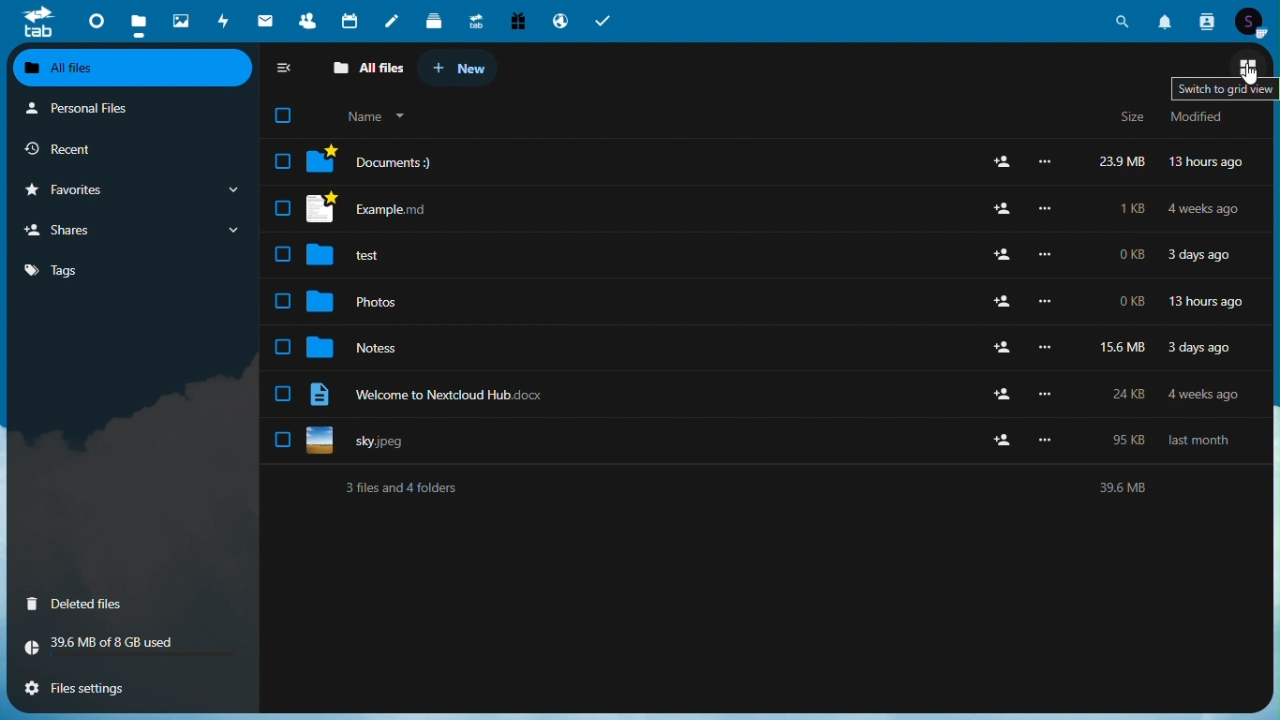 This screenshot has height=720, width=1280. I want to click on email hosting, so click(558, 20).